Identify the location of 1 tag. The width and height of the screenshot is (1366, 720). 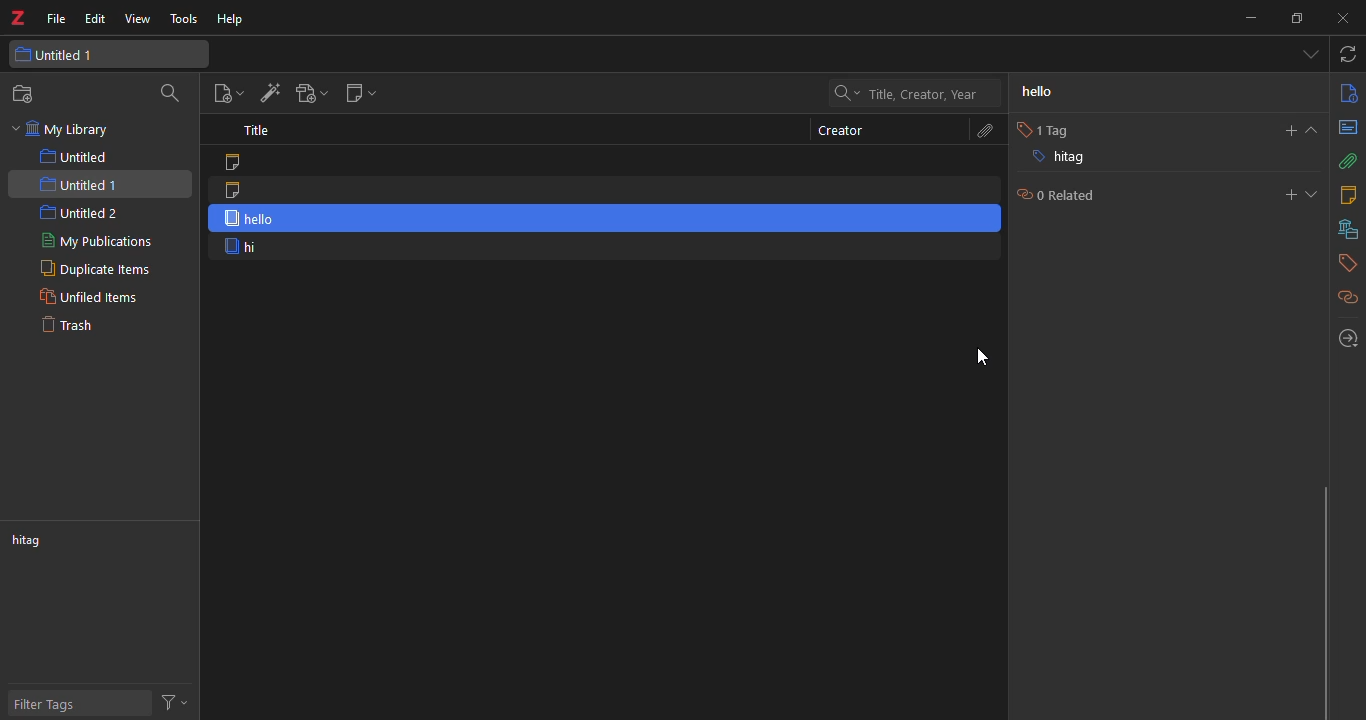
(1043, 127).